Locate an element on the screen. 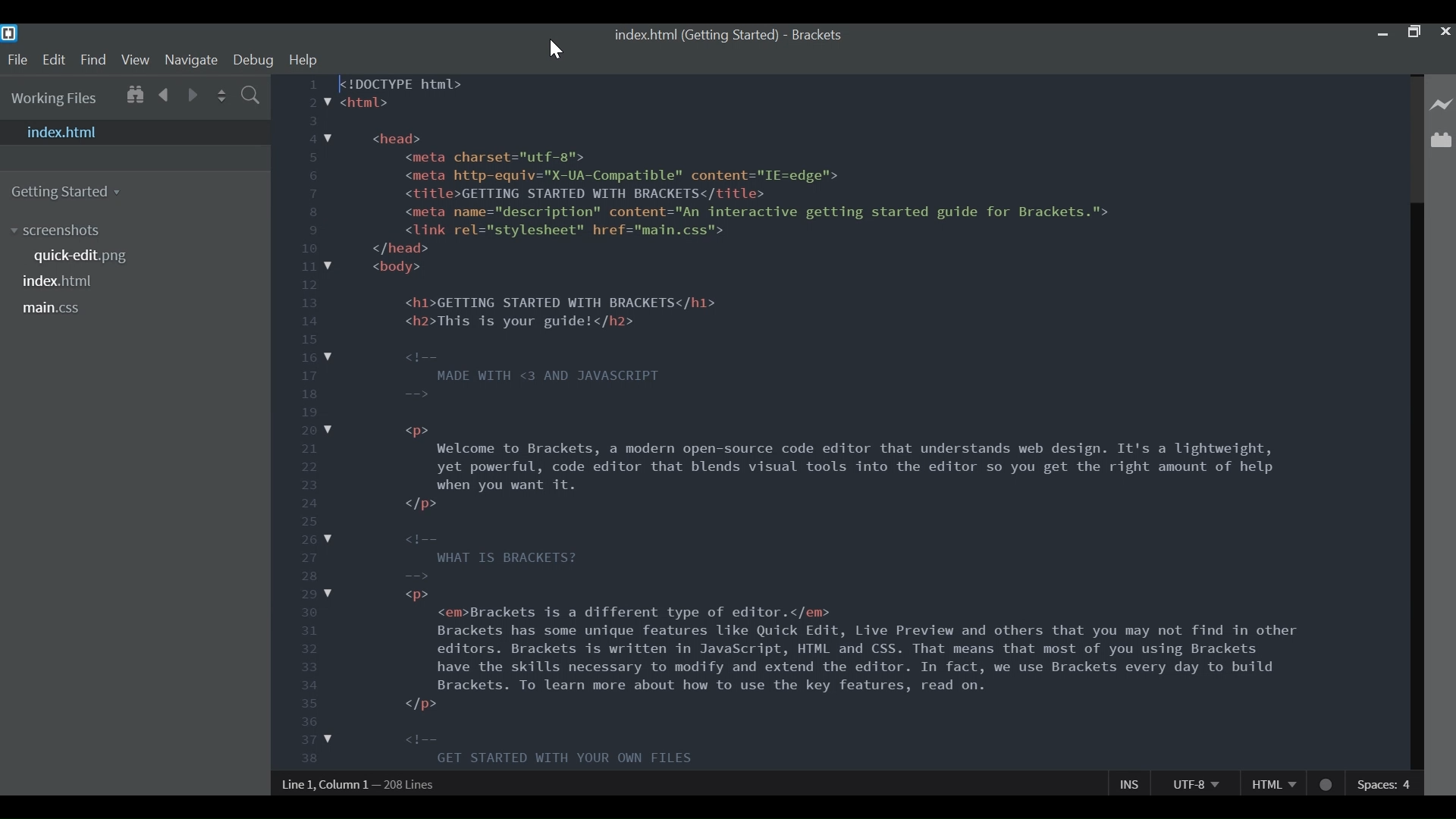 The width and height of the screenshot is (1456, 819). Working Files is located at coordinates (55, 99).